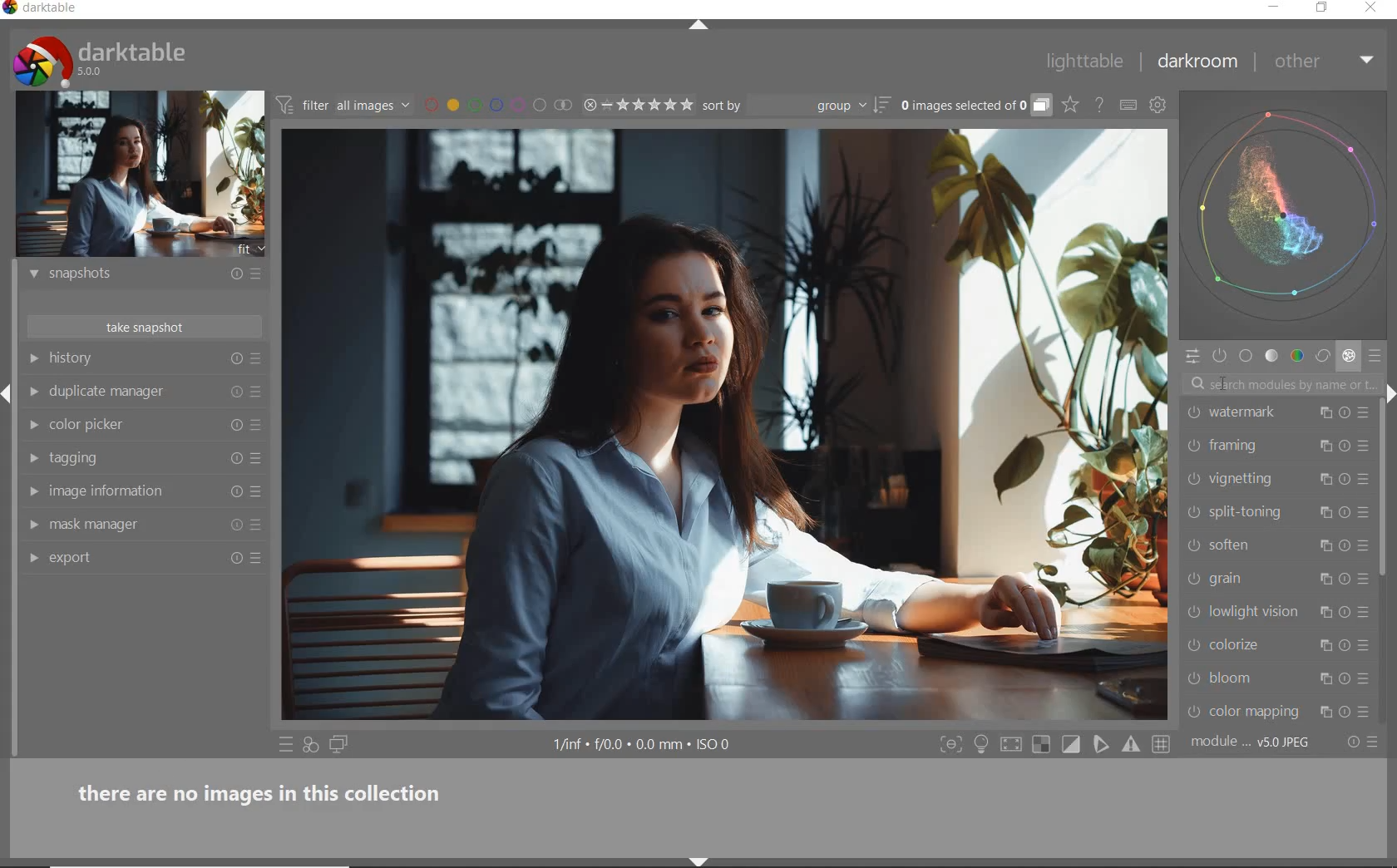 The width and height of the screenshot is (1397, 868). Describe the element at coordinates (975, 106) in the screenshot. I see `expand grouped images` at that location.